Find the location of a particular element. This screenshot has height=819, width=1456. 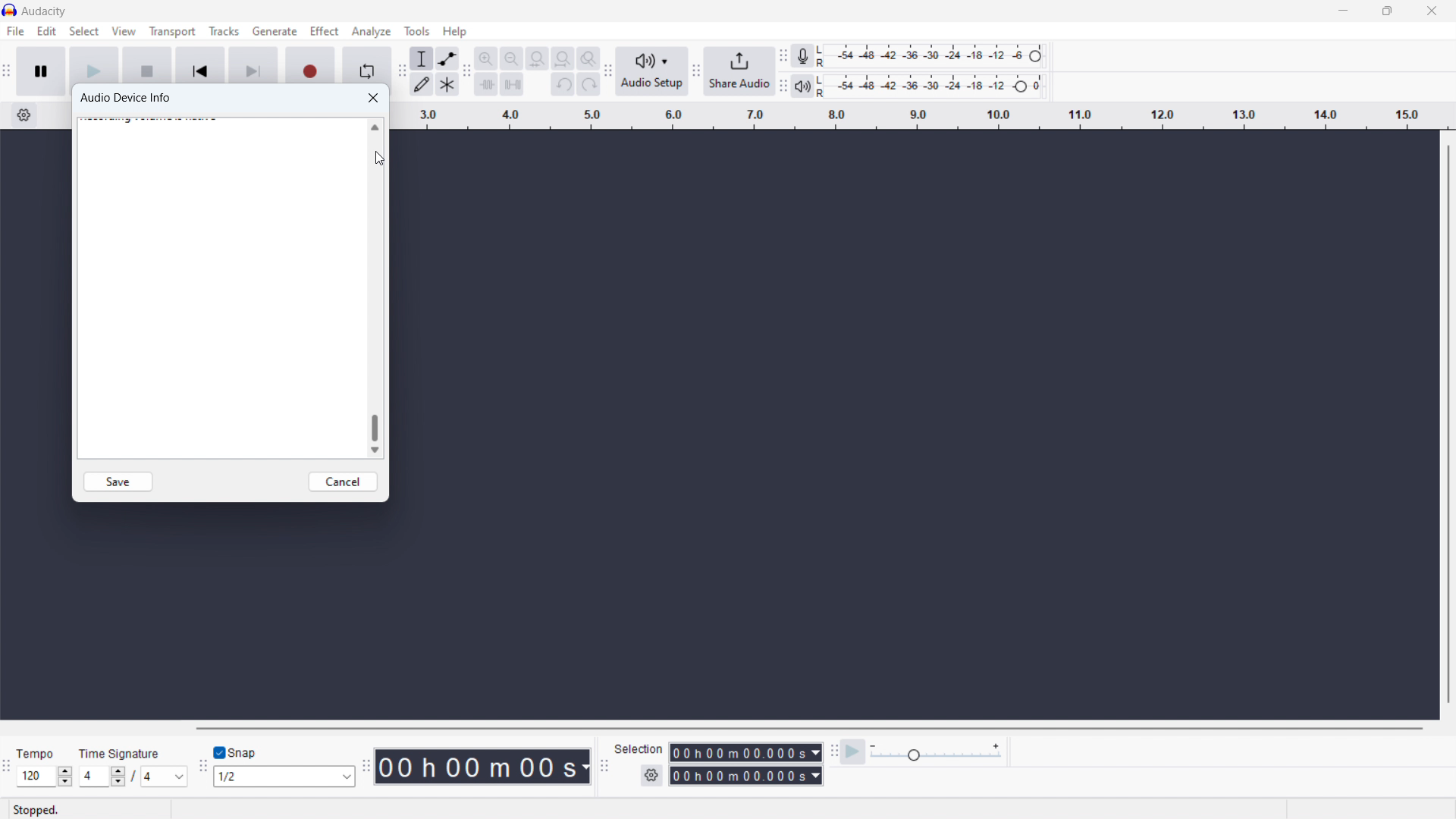

playback speed is located at coordinates (937, 753).